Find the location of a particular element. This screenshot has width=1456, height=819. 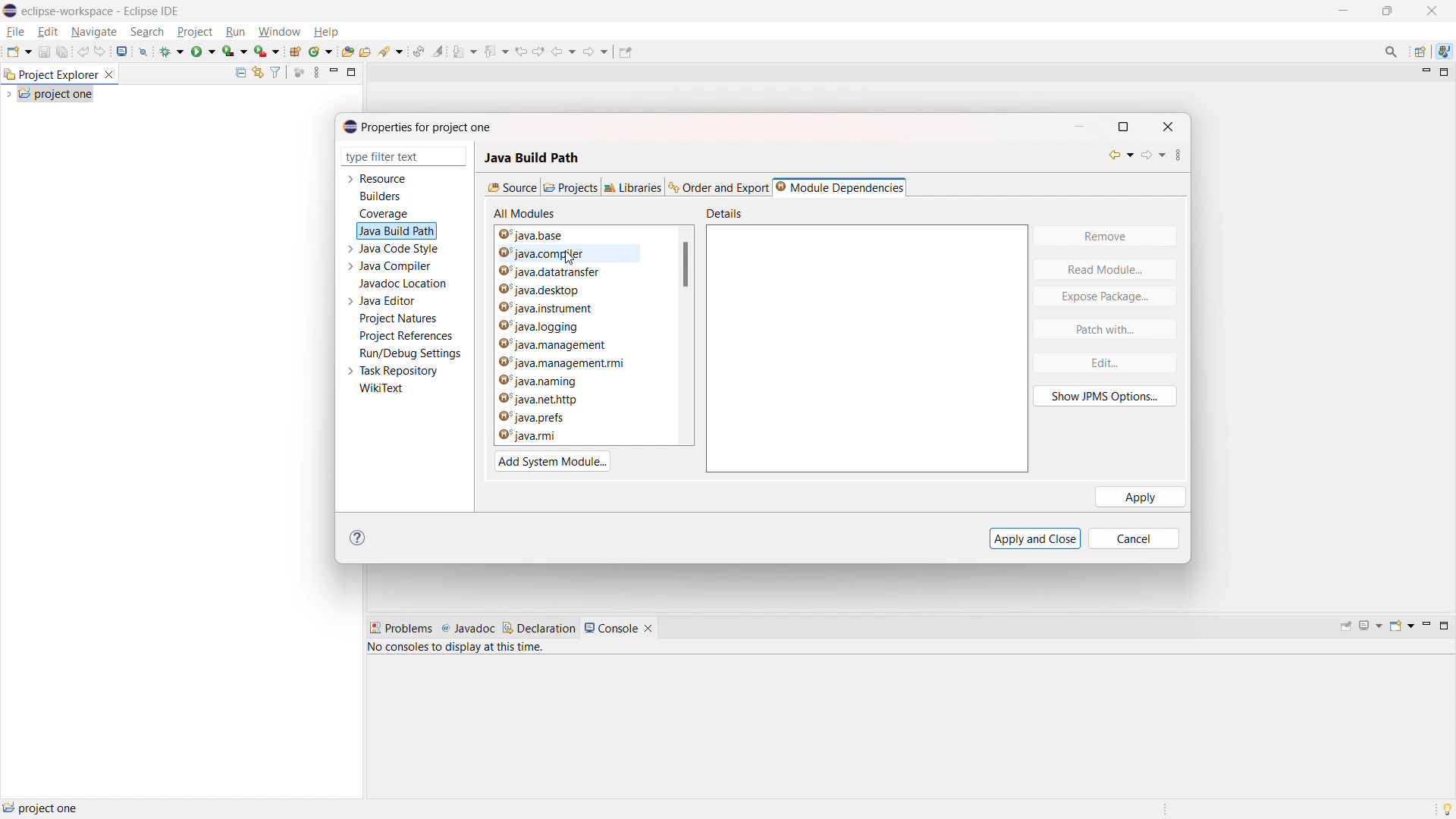

show JPMS option is located at coordinates (1106, 397).